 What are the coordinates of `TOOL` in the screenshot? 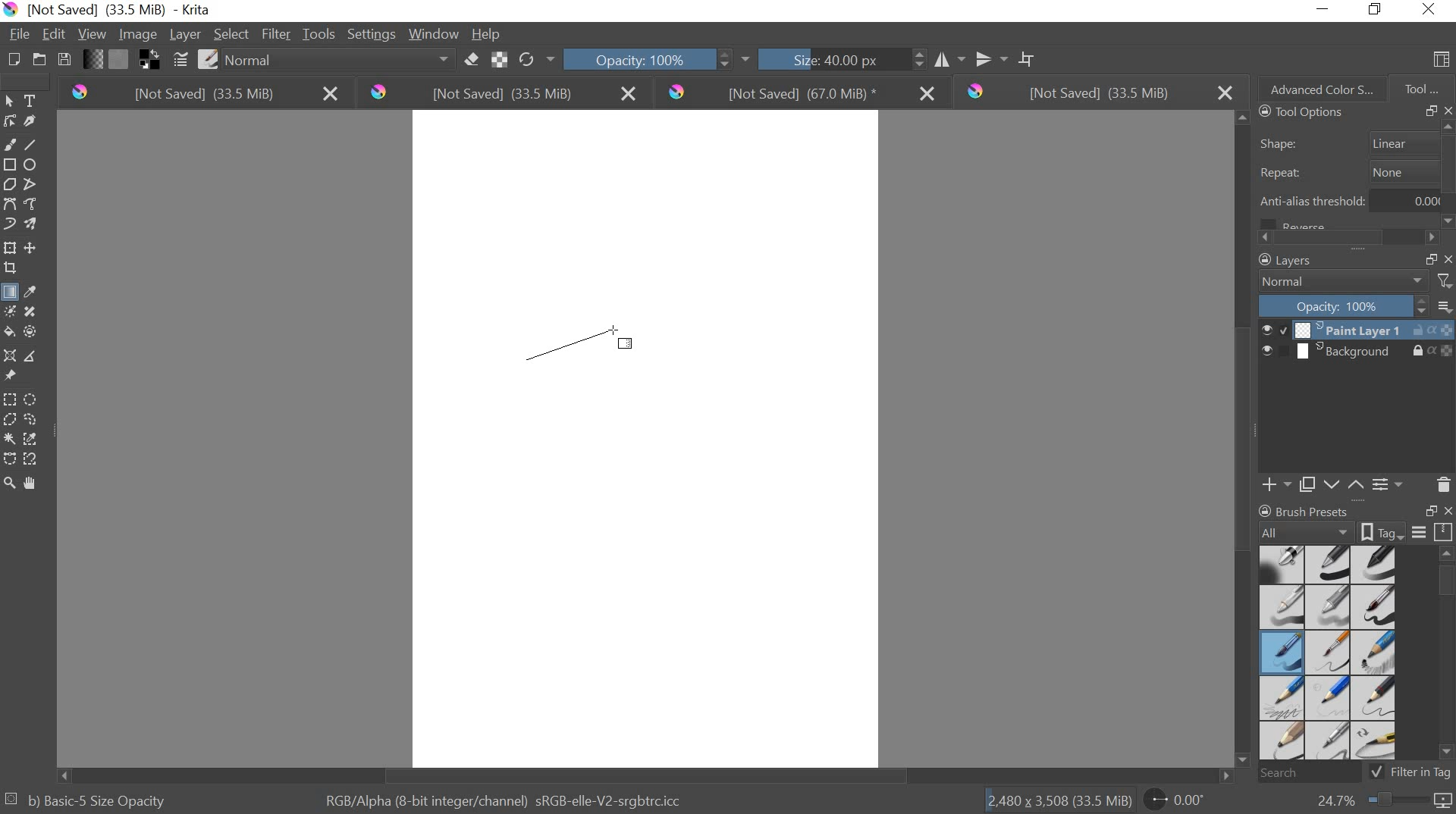 It's located at (1423, 88).